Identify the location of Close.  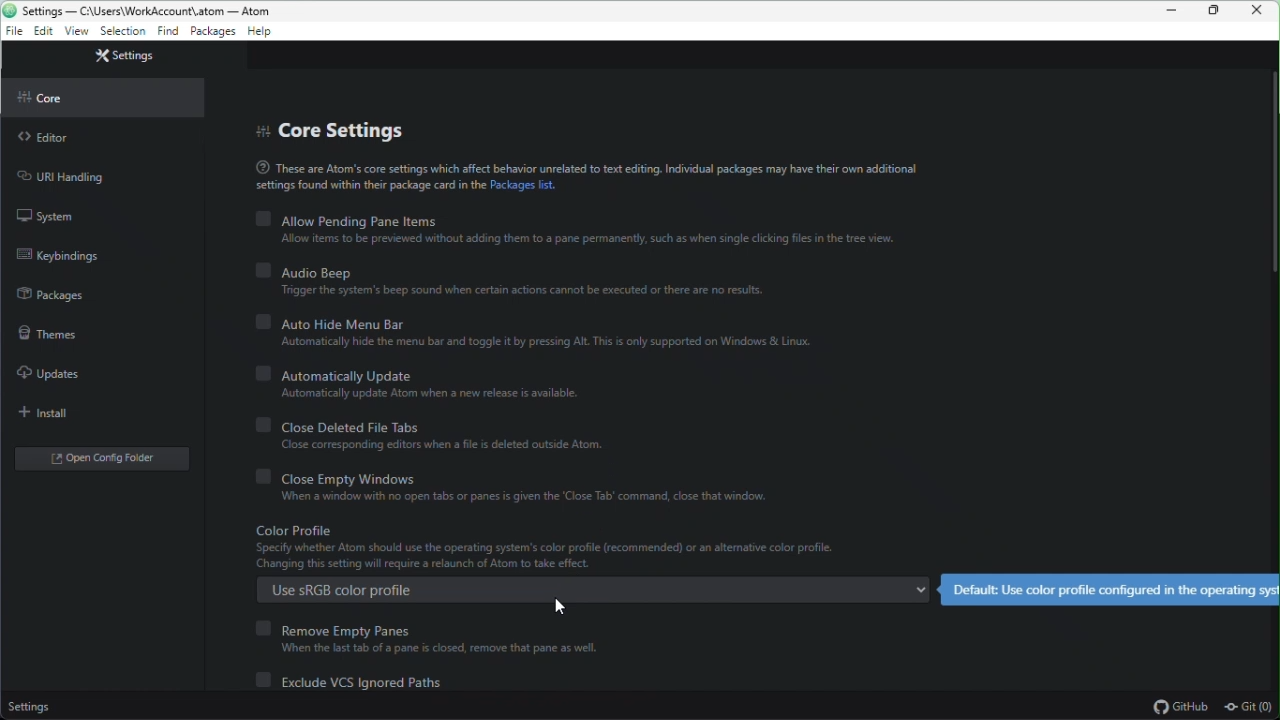
(1262, 11).